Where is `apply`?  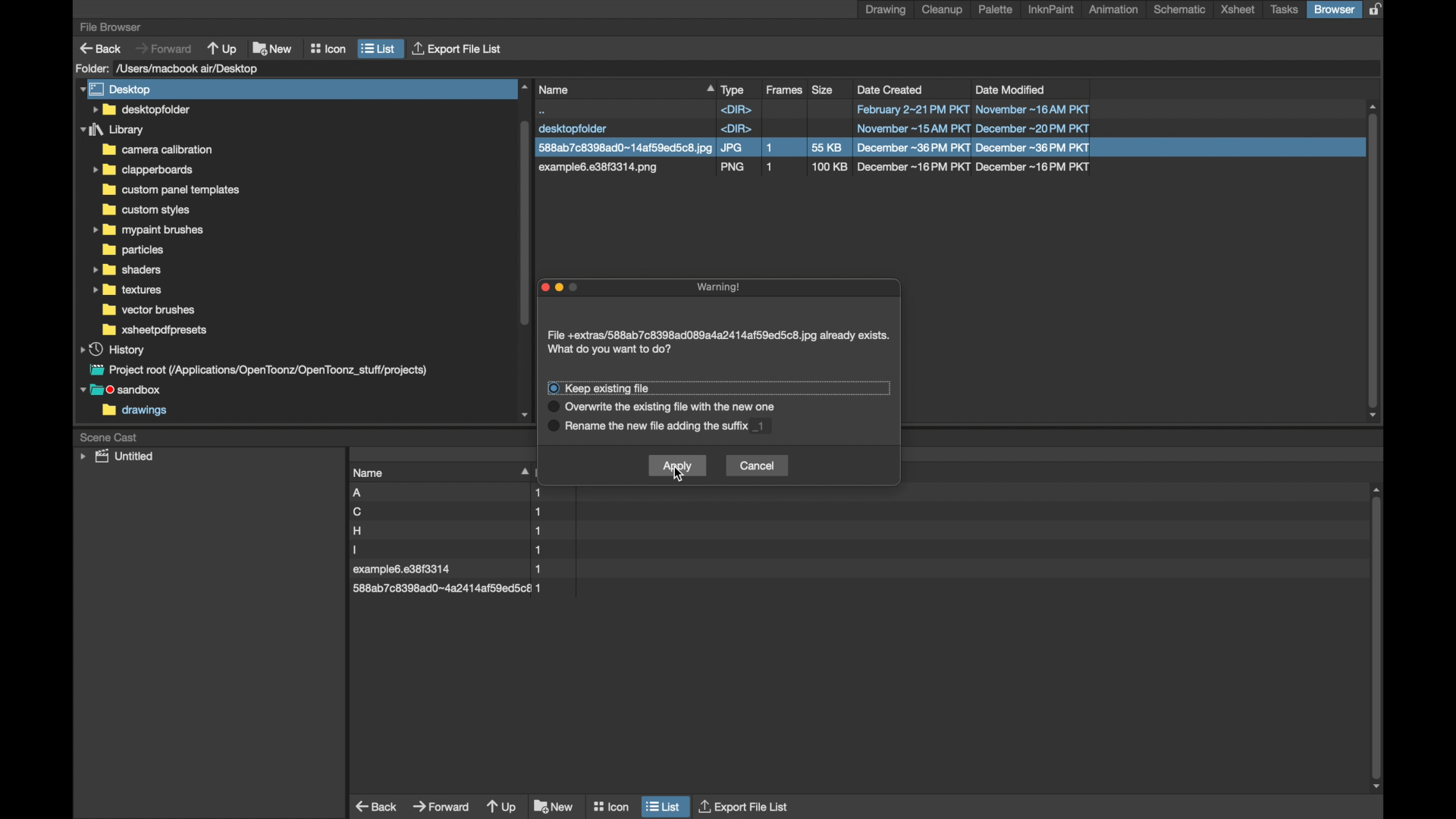
apply is located at coordinates (677, 465).